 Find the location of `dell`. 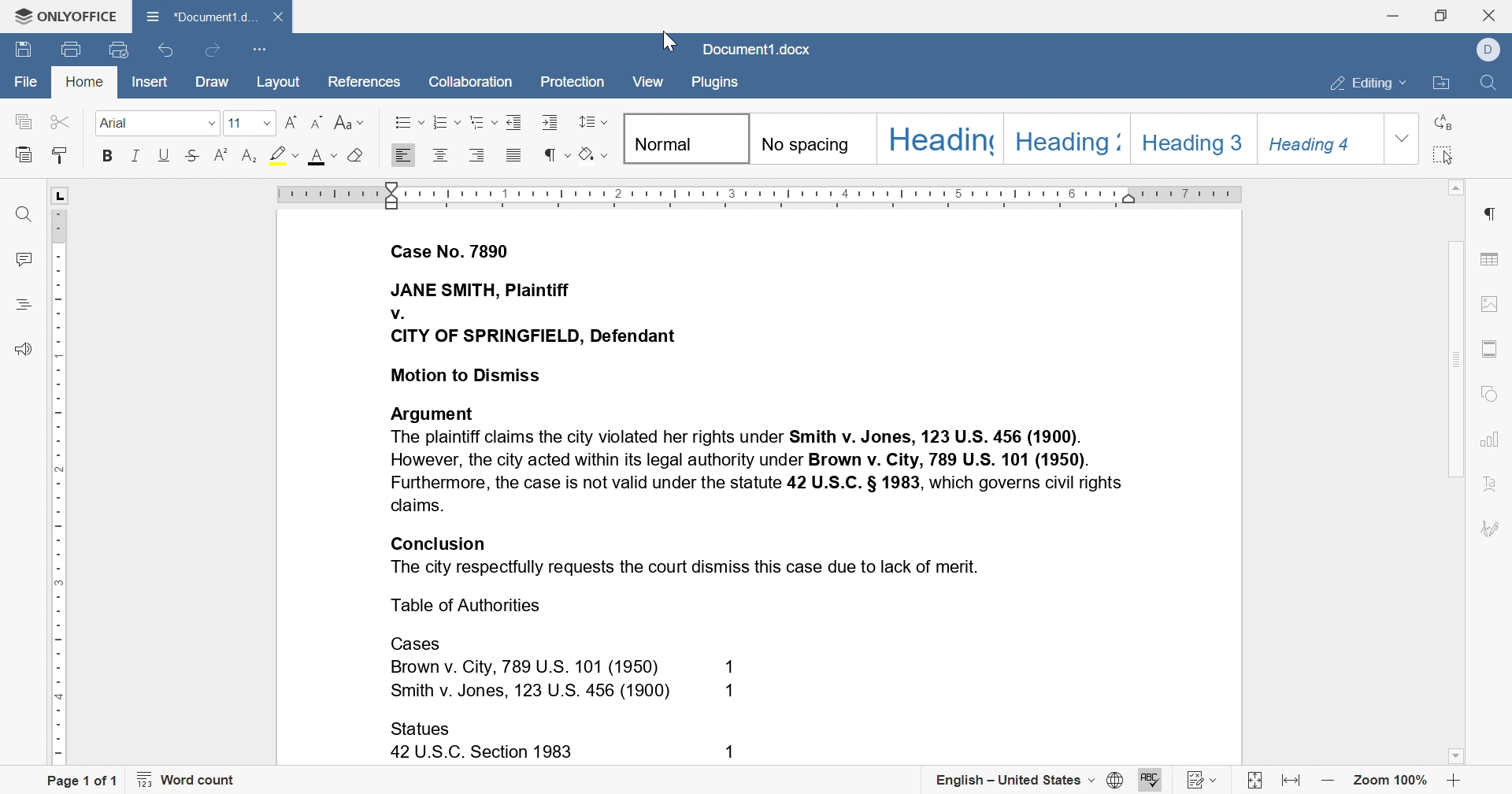

dell is located at coordinates (1486, 50).